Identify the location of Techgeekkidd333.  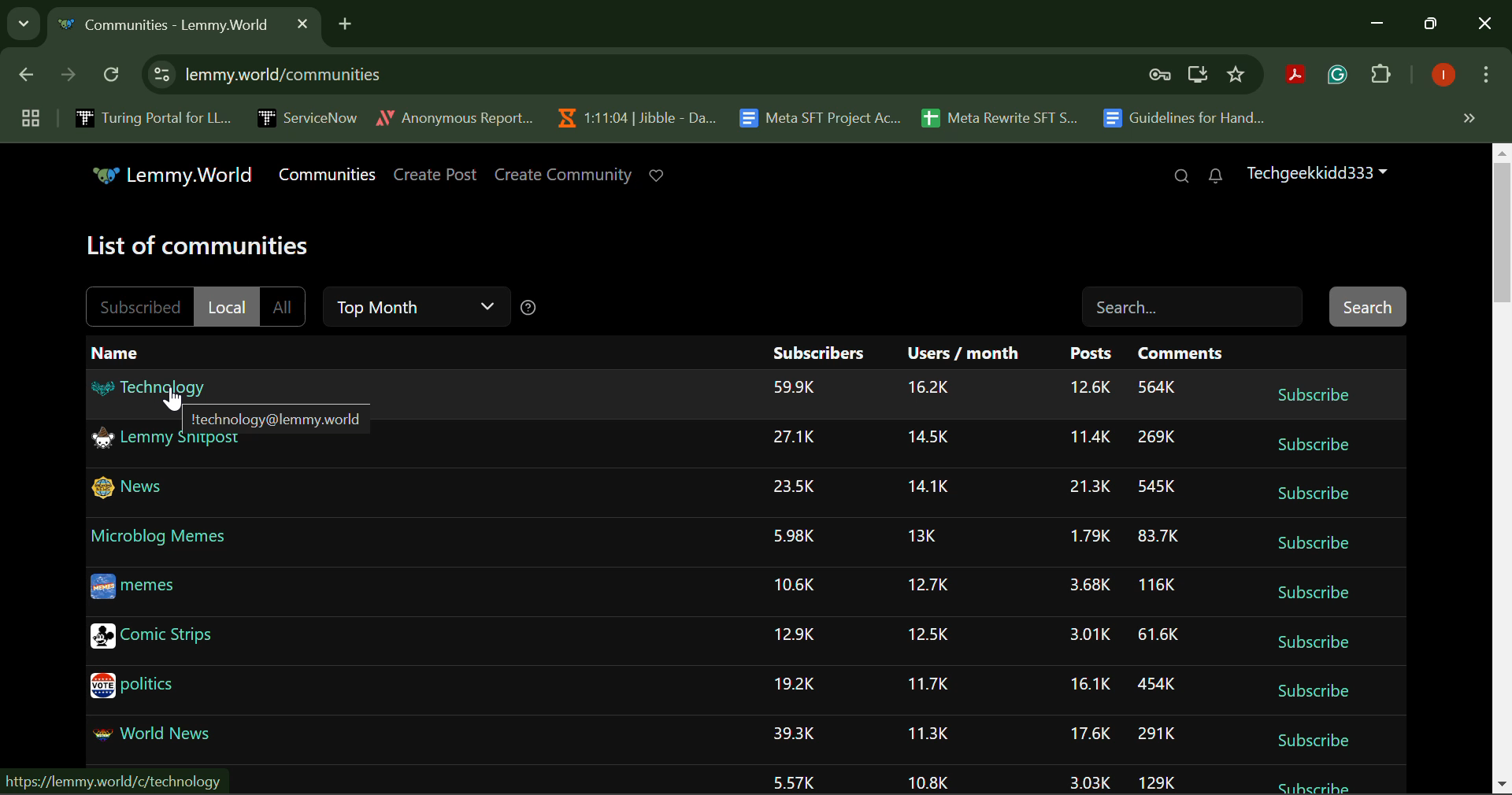
(1315, 172).